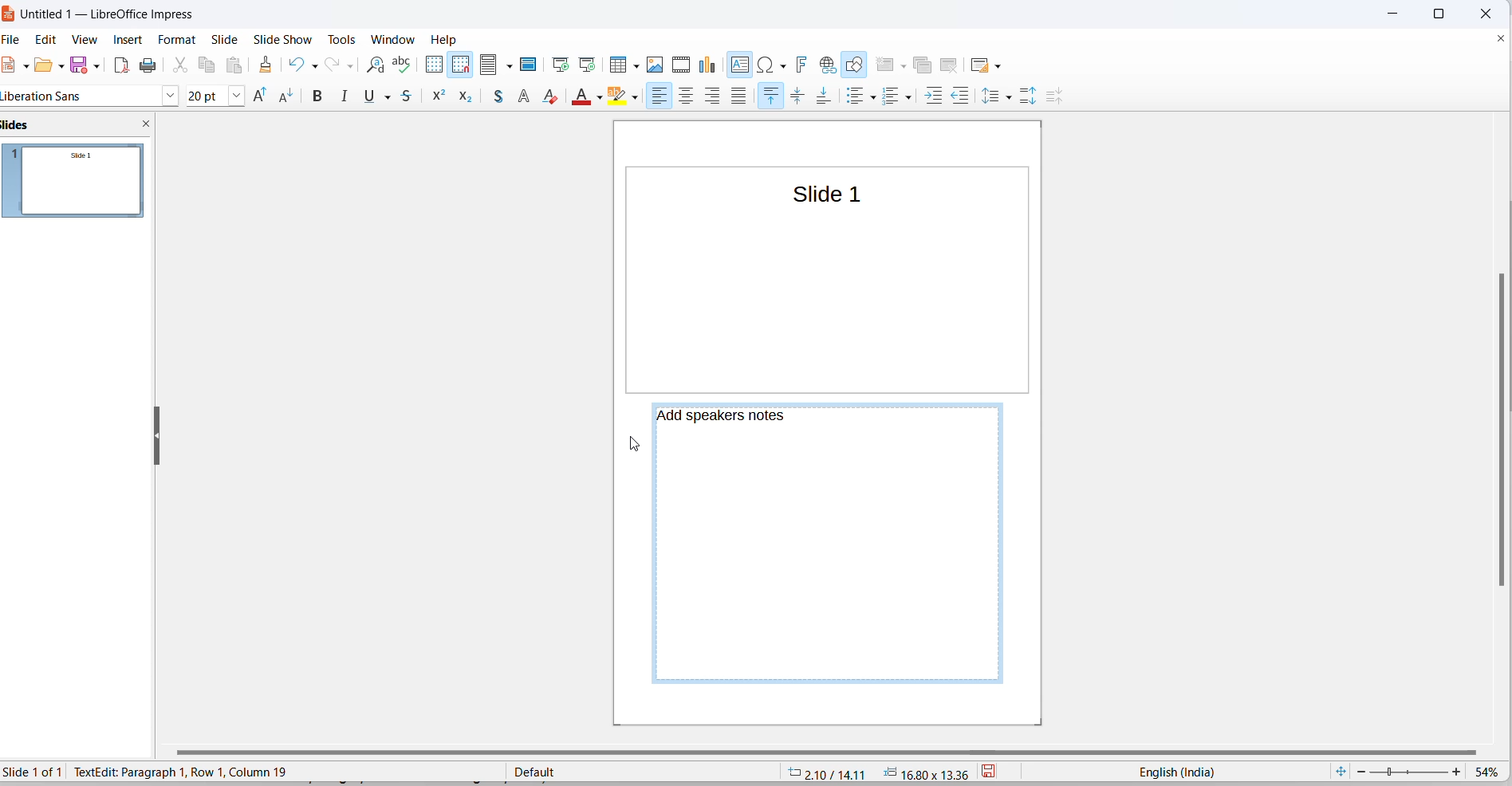  What do you see at coordinates (482, 98) in the screenshot?
I see `call out shapes` at bounding box center [482, 98].